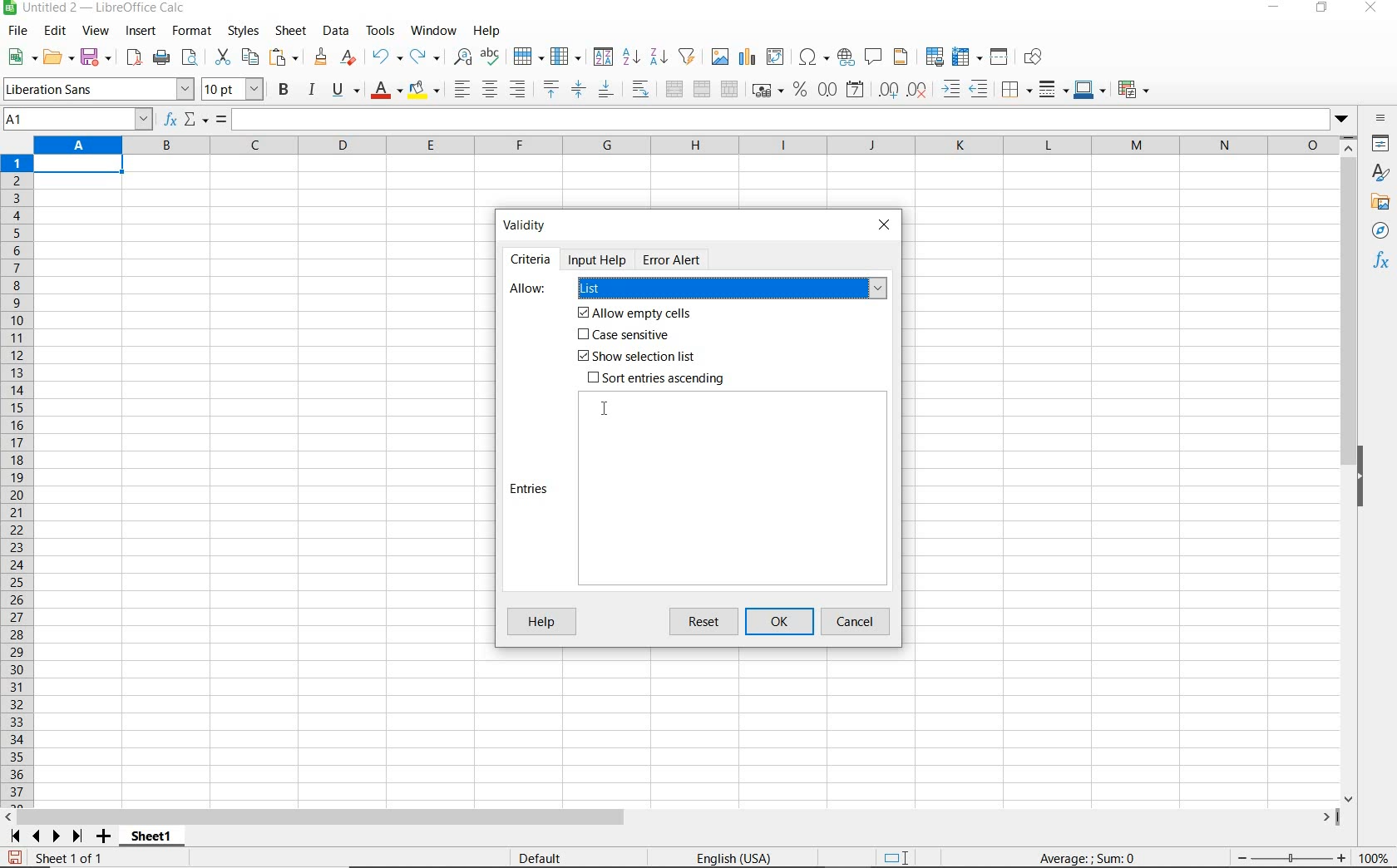 Image resolution: width=1397 pixels, height=868 pixels. Describe the element at coordinates (1381, 120) in the screenshot. I see `sidebar settings` at that location.